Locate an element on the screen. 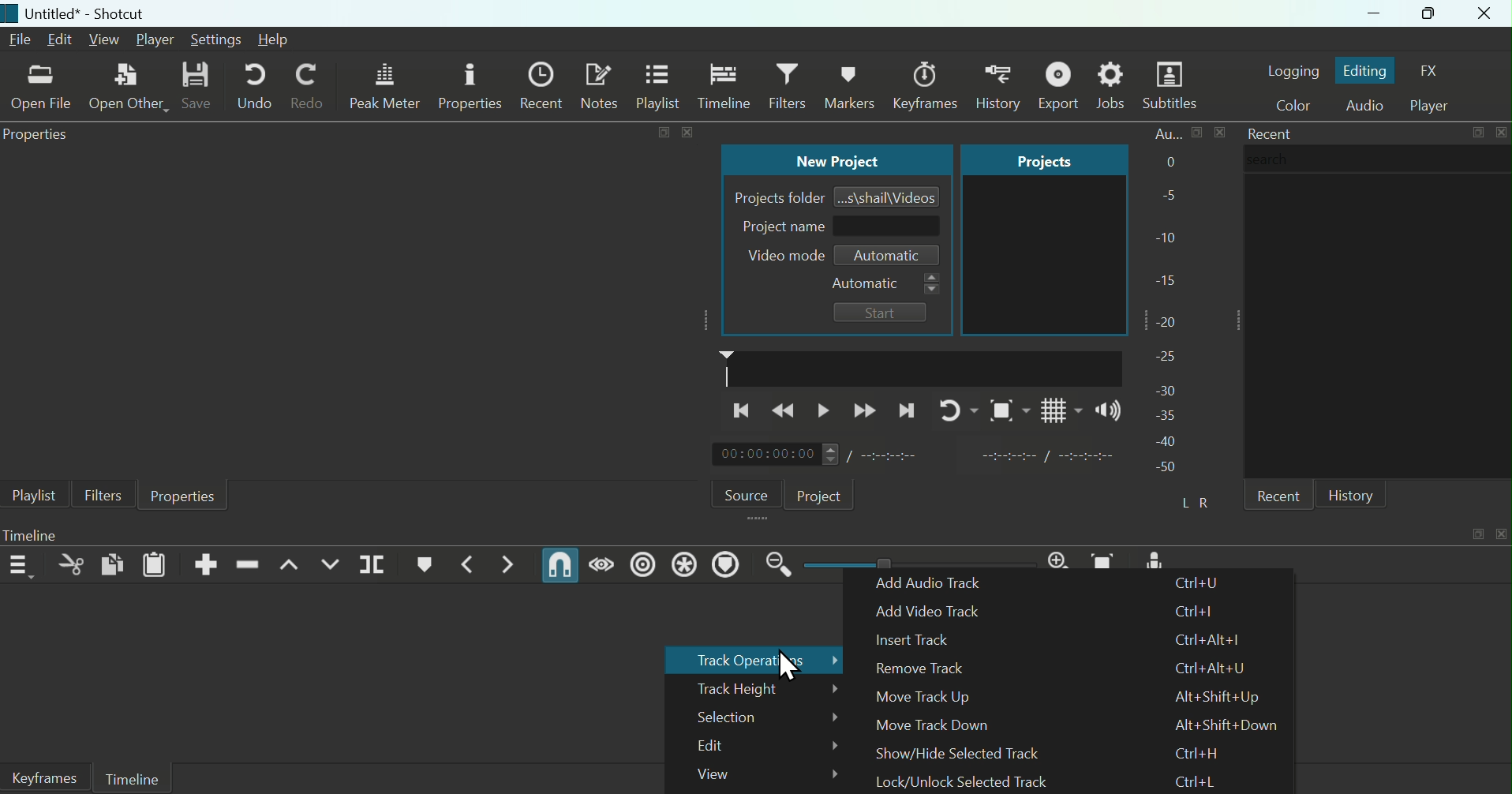  Snap is located at coordinates (560, 566).